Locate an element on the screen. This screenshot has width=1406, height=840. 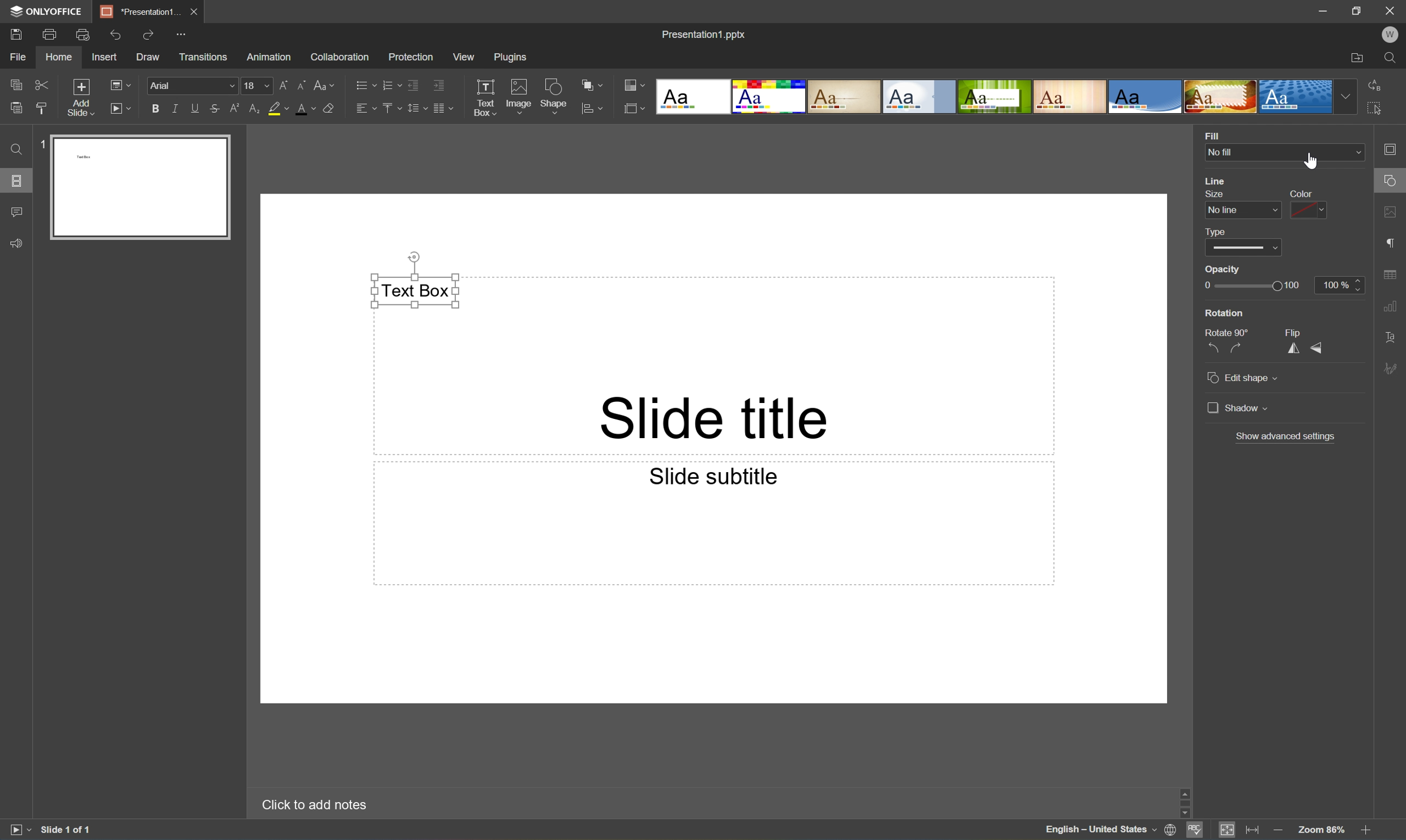
Change case is located at coordinates (324, 84).